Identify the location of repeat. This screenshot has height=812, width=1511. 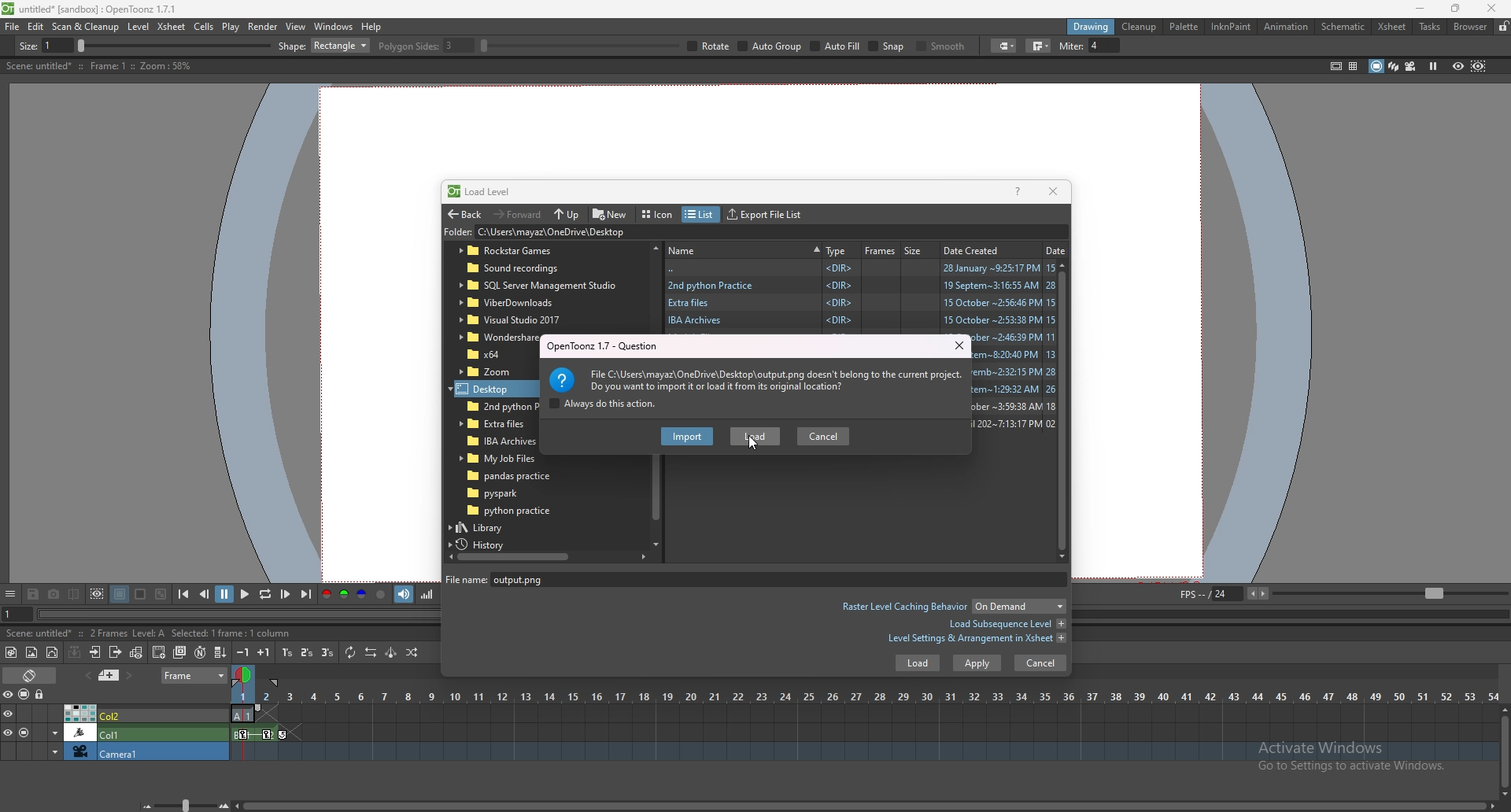
(349, 652).